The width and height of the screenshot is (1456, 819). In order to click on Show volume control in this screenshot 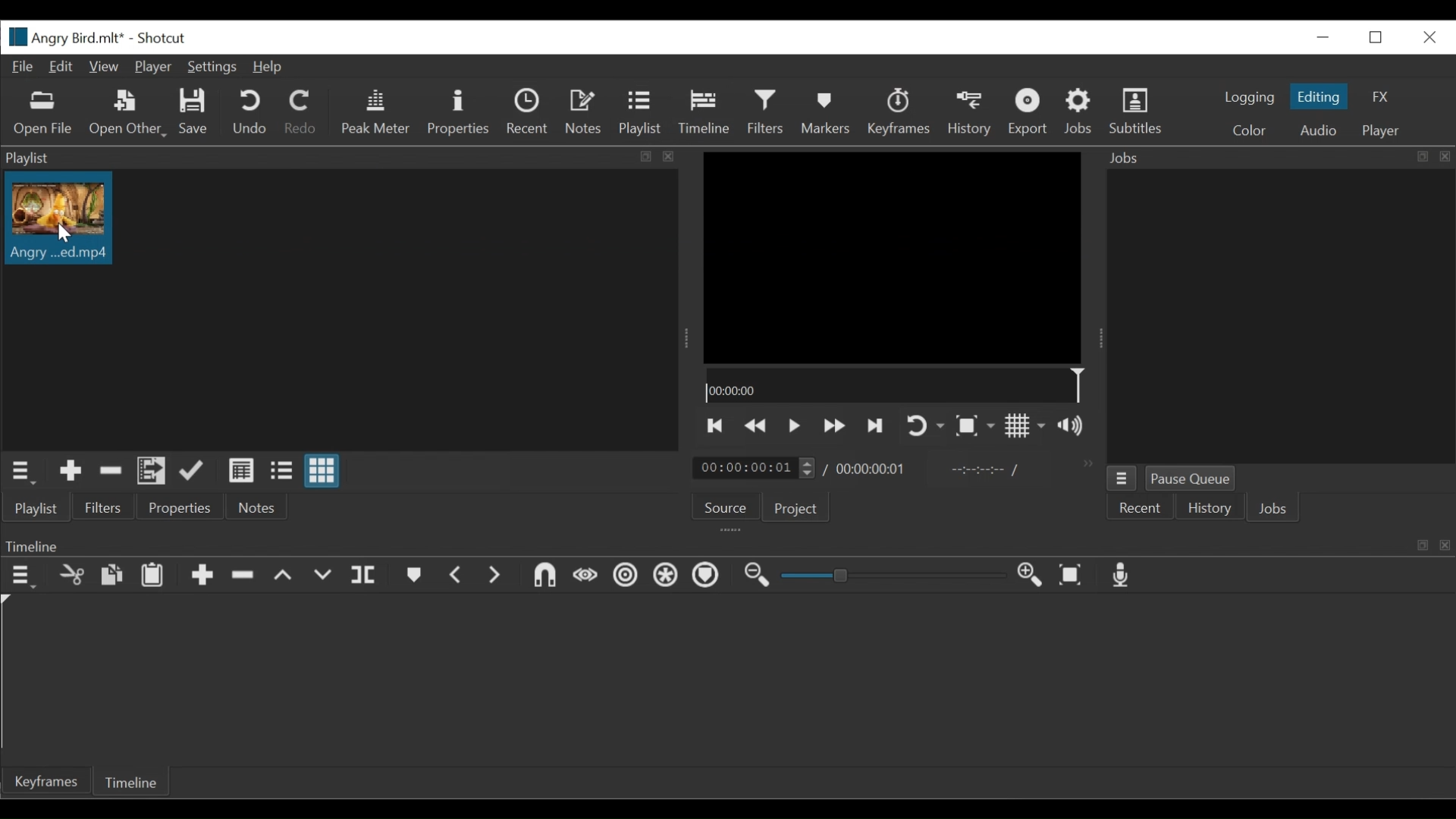, I will do `click(1071, 426)`.